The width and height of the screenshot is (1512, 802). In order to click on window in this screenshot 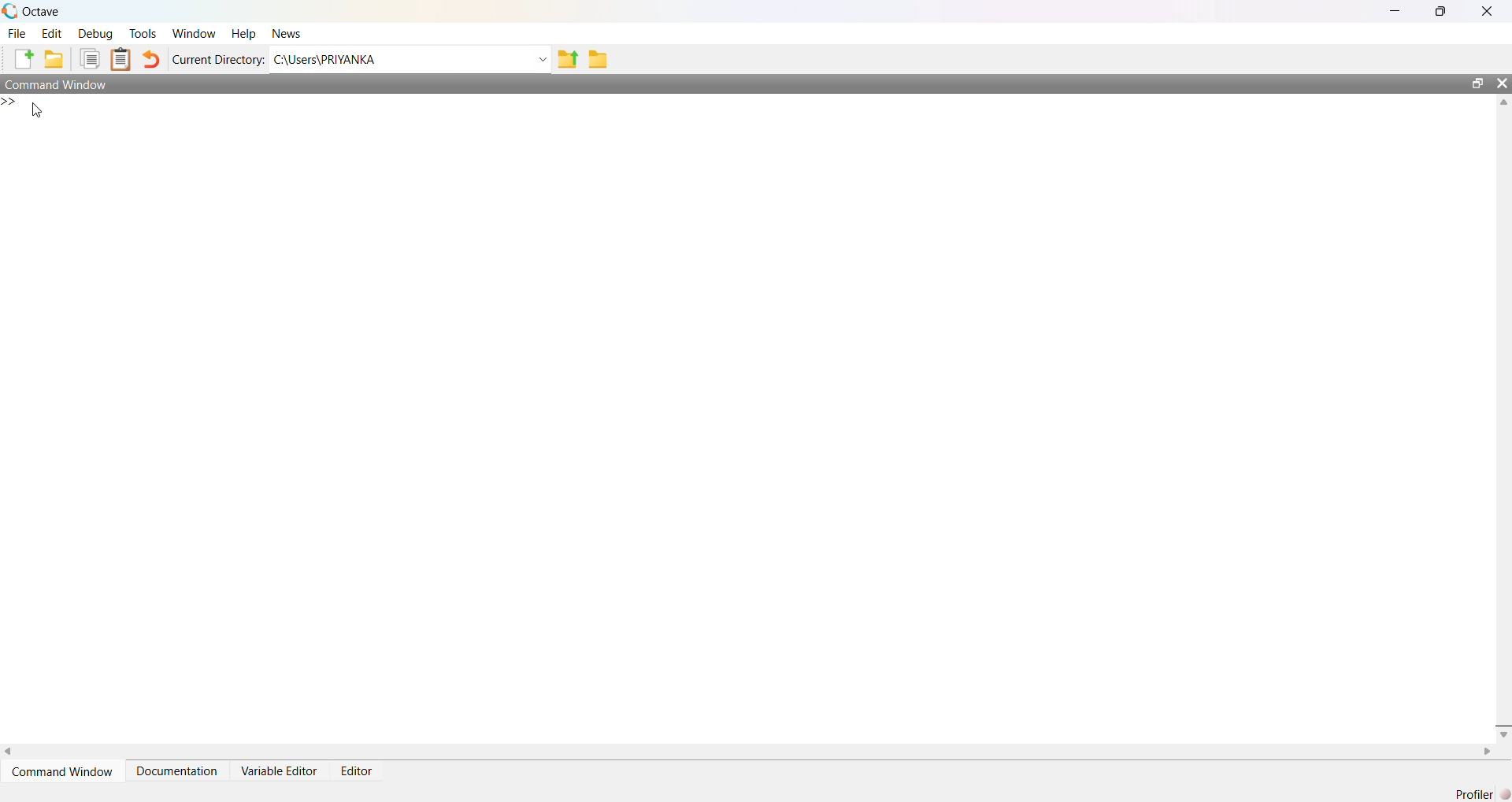, I will do `click(195, 33)`.